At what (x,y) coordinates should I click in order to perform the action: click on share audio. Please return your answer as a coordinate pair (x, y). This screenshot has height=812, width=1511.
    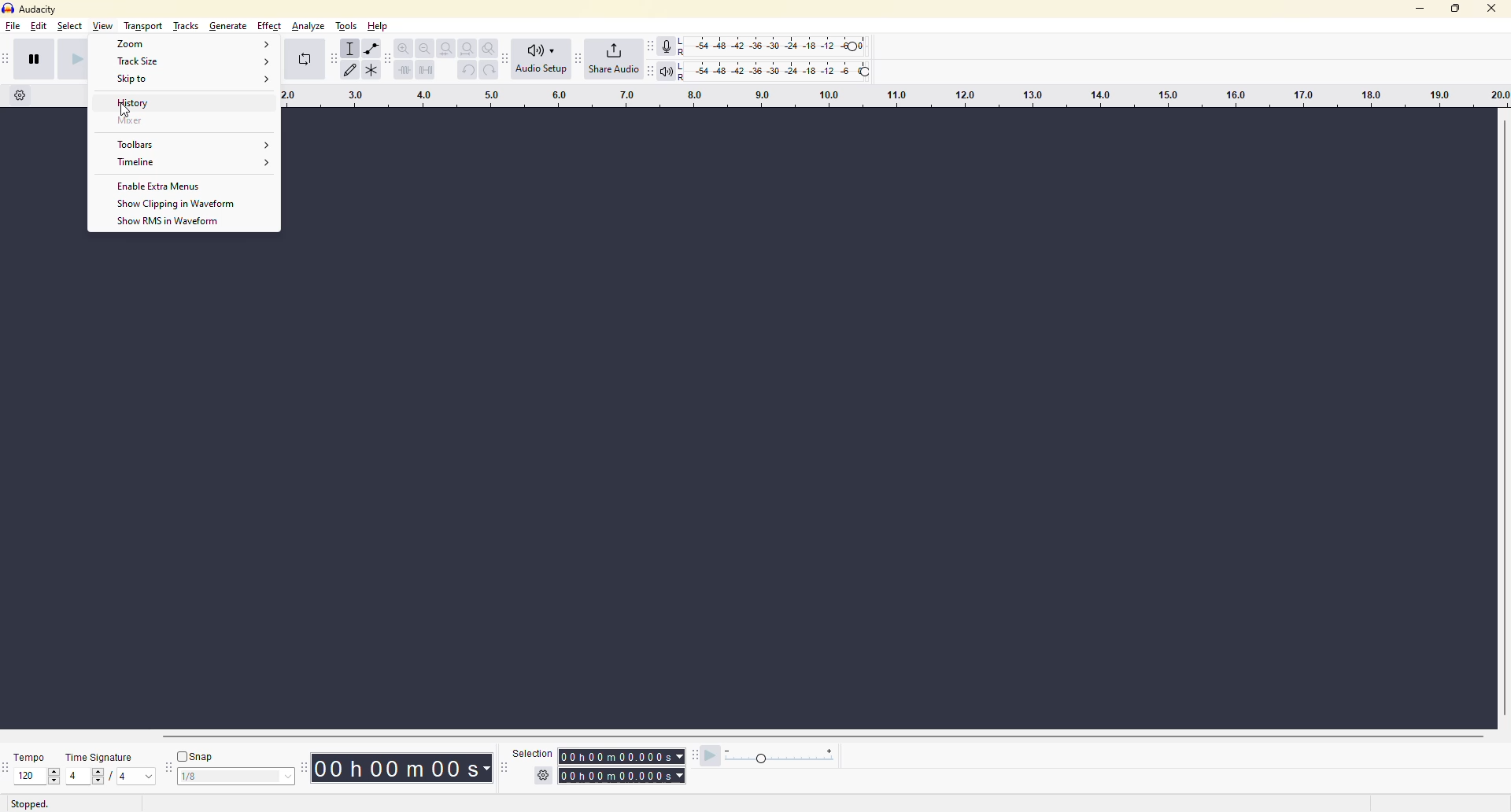
    Looking at the image, I should click on (612, 59).